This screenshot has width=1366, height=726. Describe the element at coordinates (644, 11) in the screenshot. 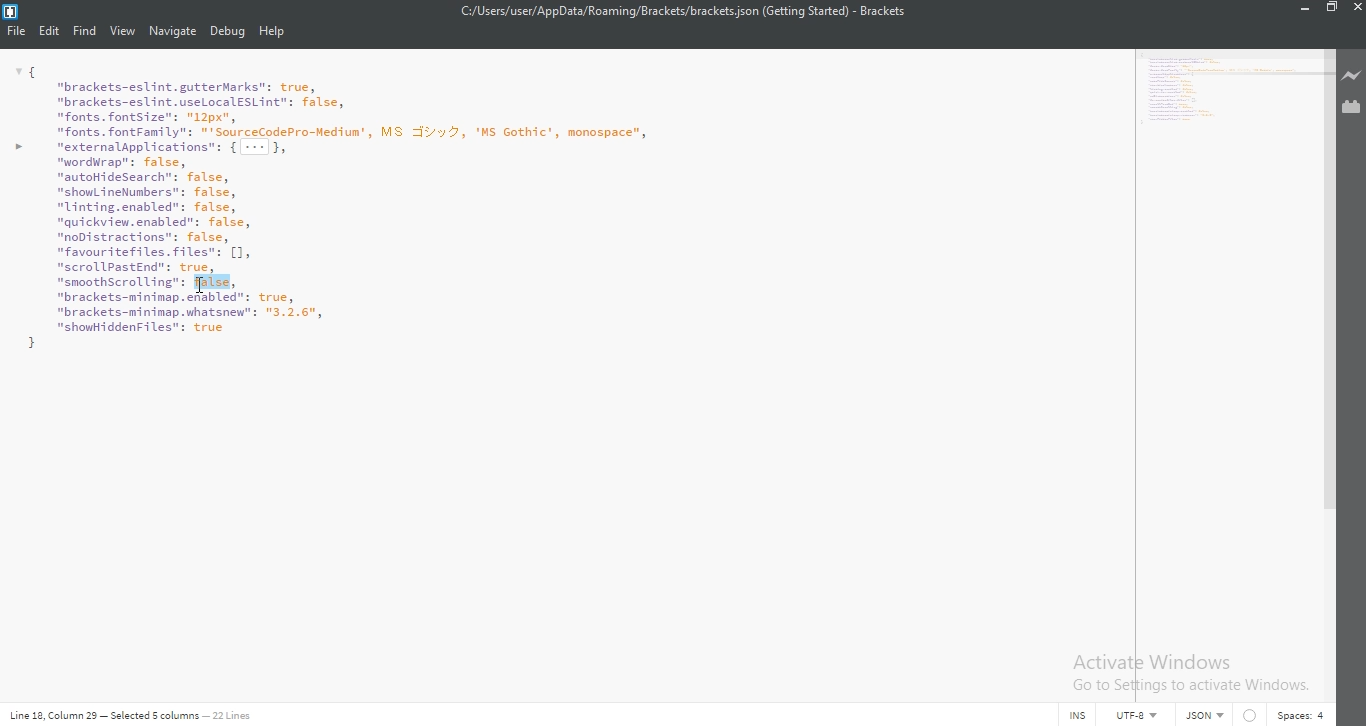

I see `C:/Users/user/AppData/Roaming/Brackets/brackets json (Getting Started)` at that location.